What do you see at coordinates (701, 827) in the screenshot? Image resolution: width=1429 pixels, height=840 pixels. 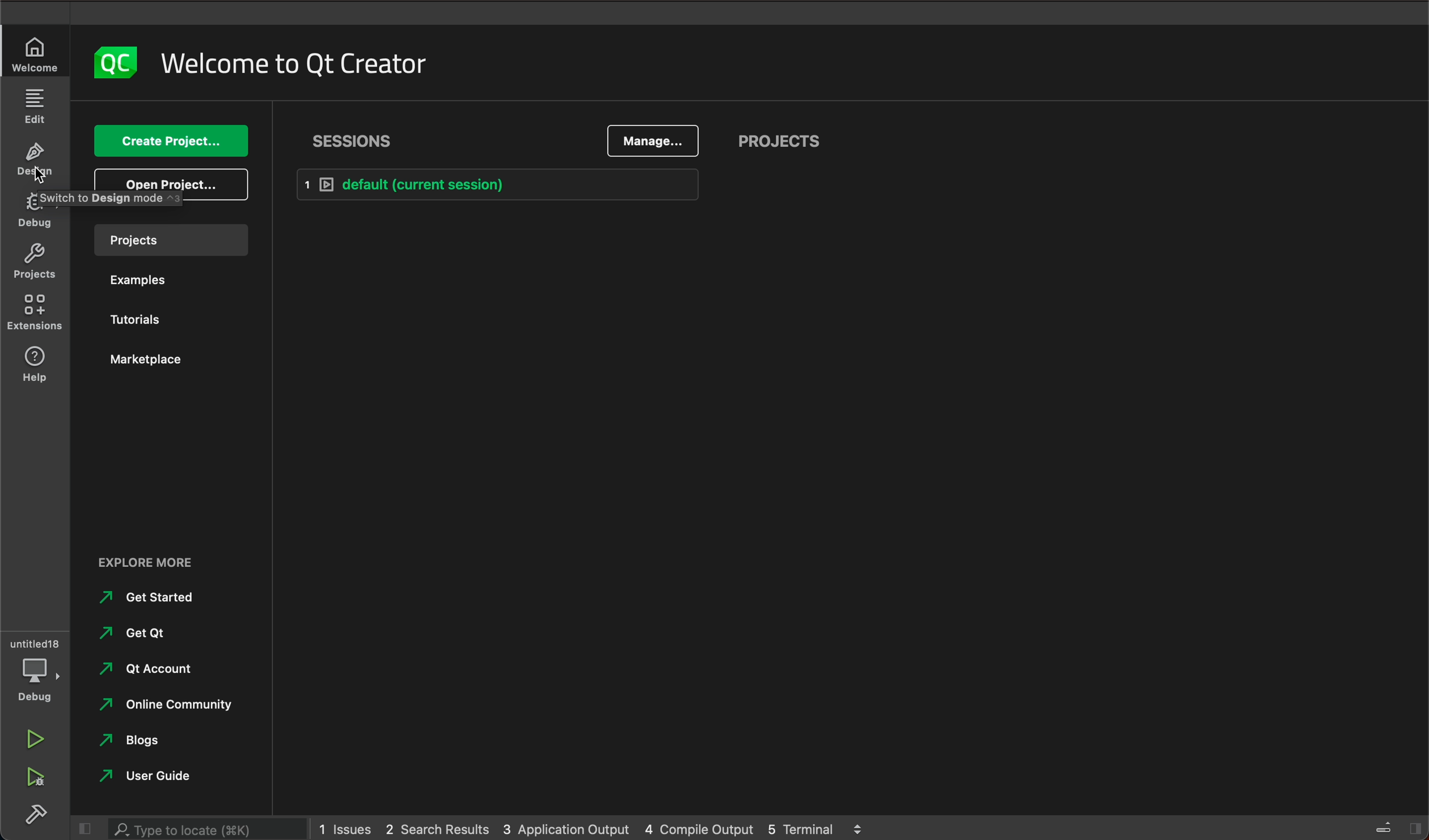 I see `4 couple output` at bounding box center [701, 827].